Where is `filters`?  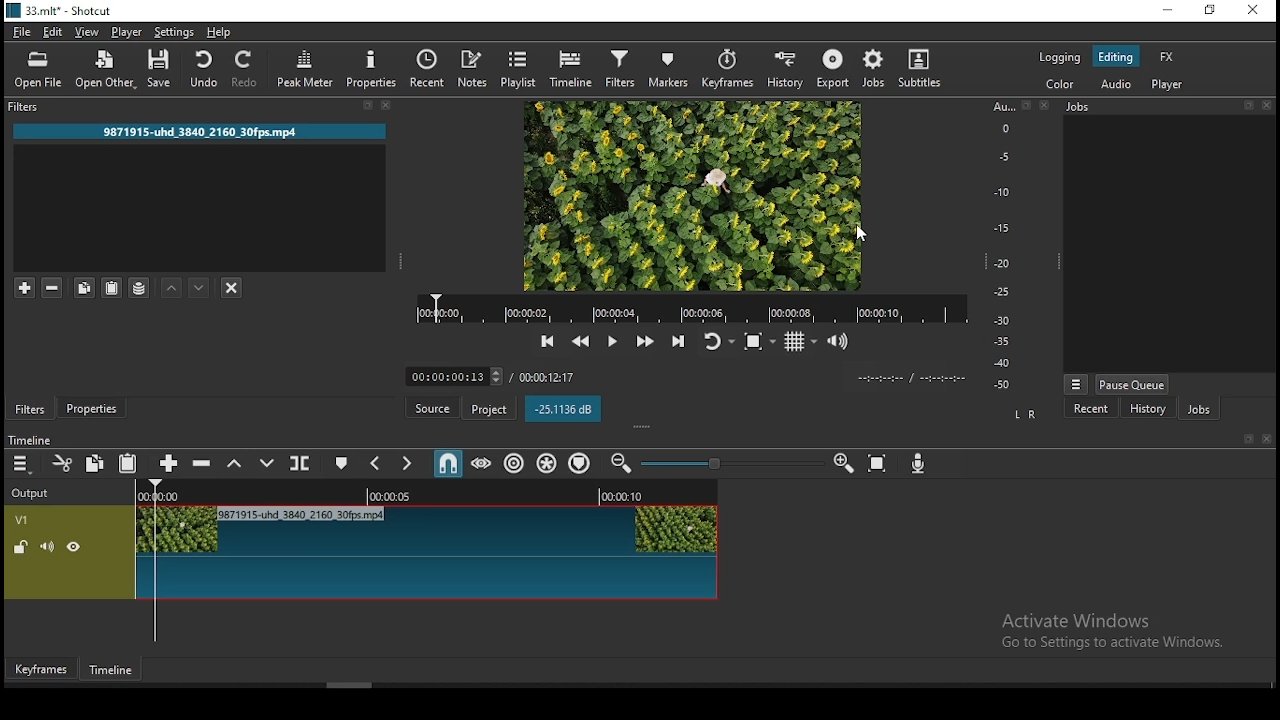 filters is located at coordinates (27, 409).